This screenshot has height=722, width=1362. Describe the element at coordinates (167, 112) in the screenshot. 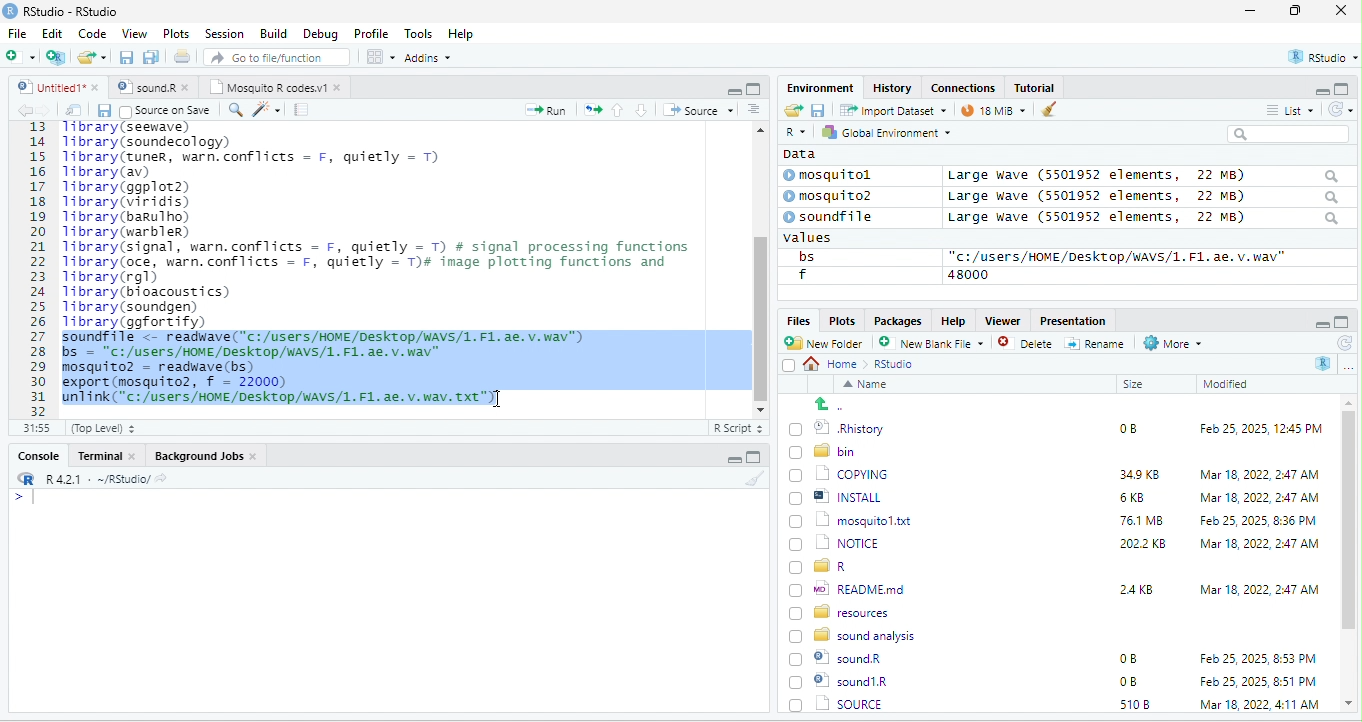

I see `source on Save` at that location.